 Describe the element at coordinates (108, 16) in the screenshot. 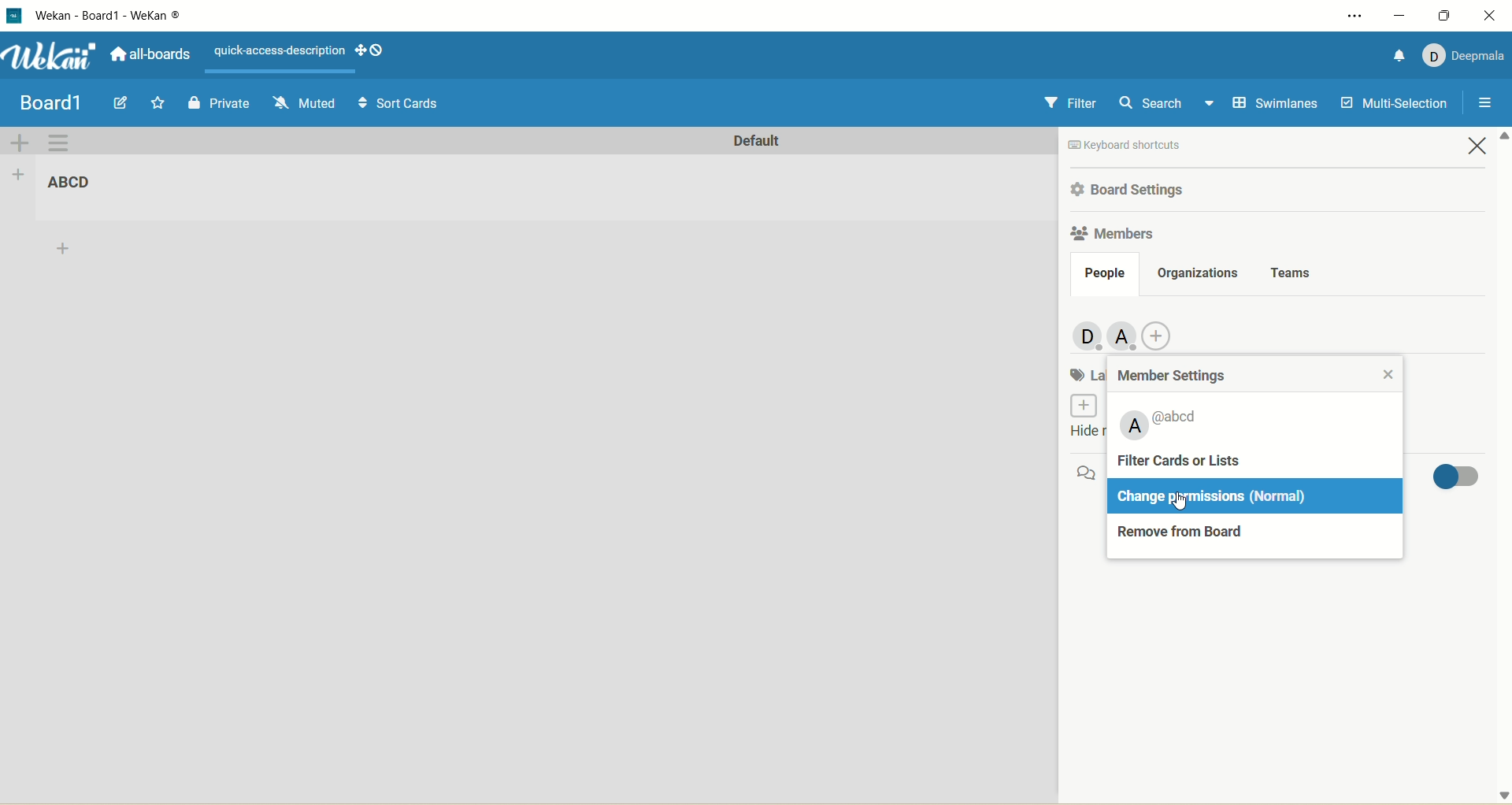

I see `wekan-wekan` at that location.